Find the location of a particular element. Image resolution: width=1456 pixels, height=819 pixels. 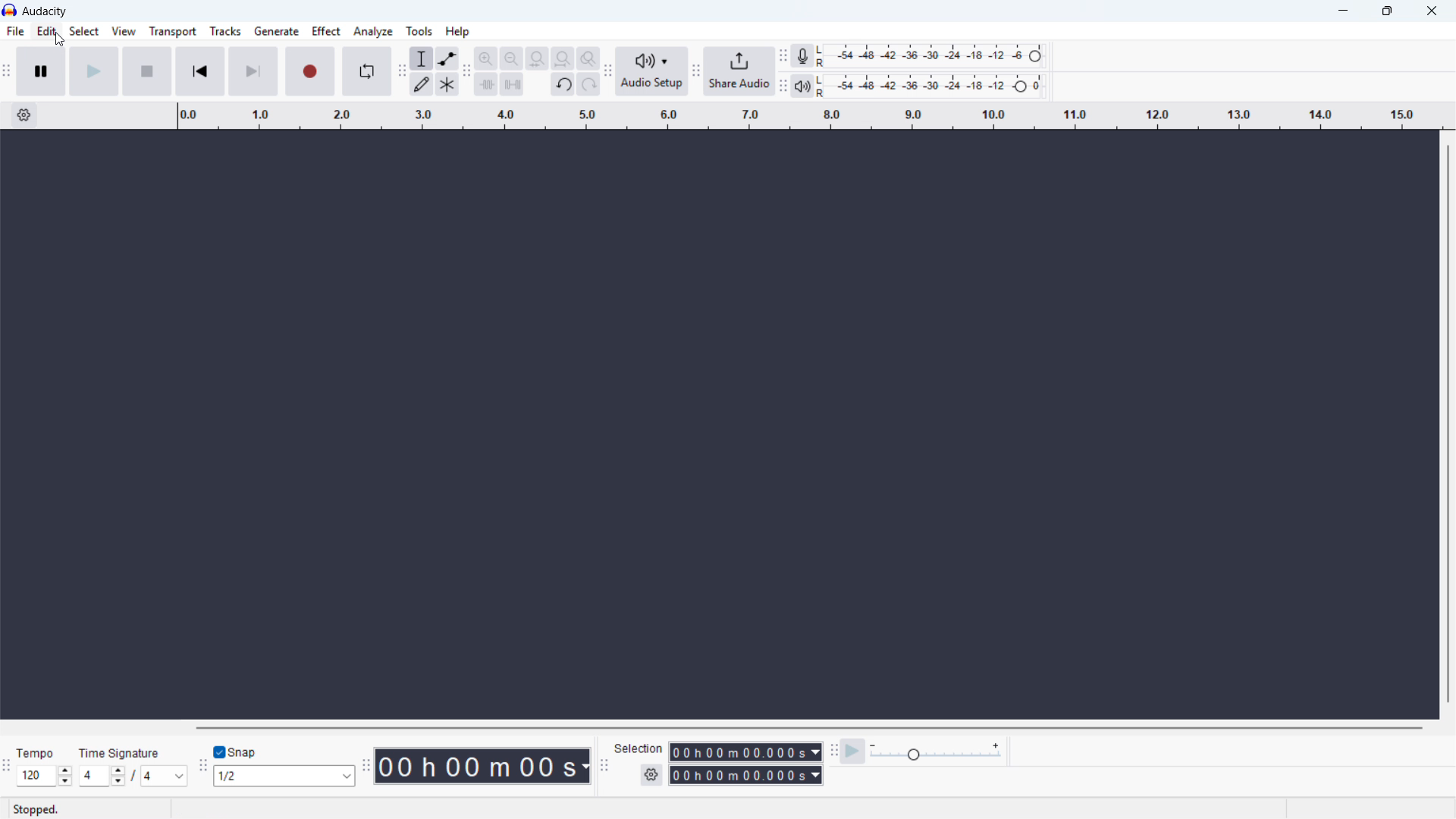

start time is located at coordinates (719, 752).